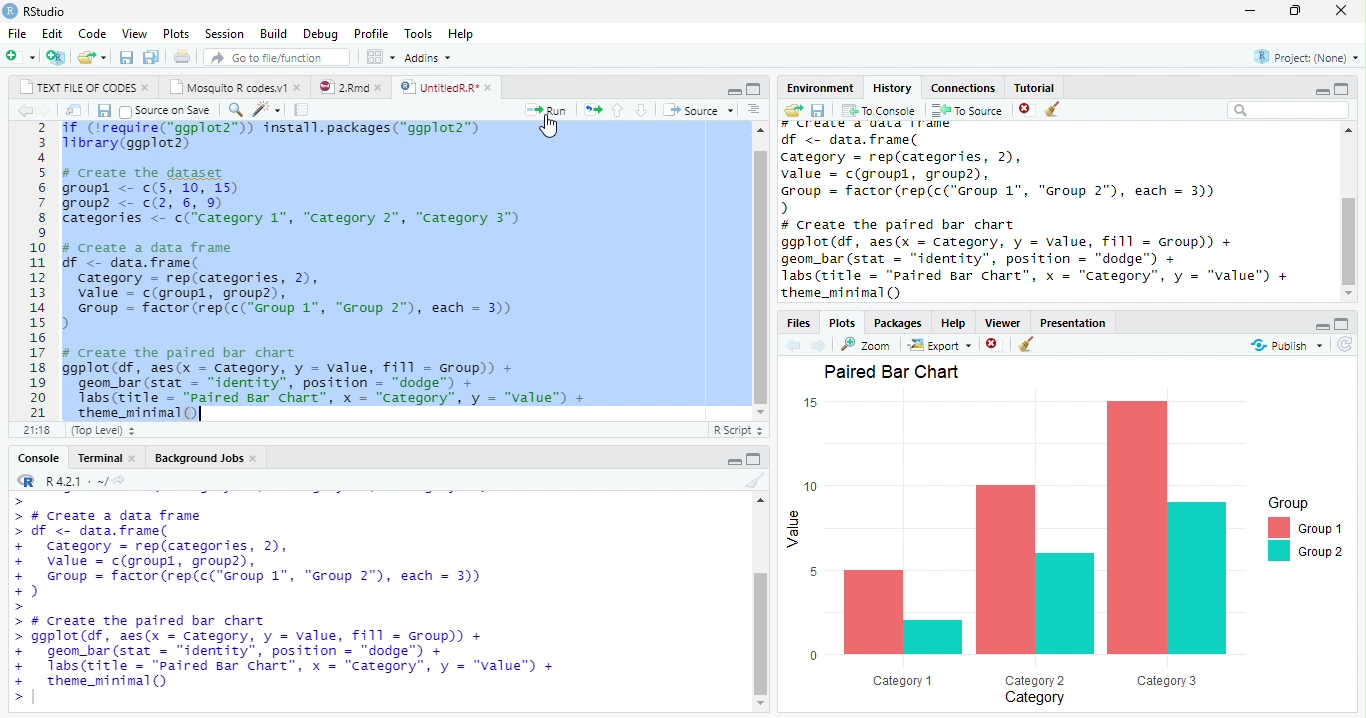 This screenshot has width=1366, height=718. Describe the element at coordinates (73, 110) in the screenshot. I see `show in new window` at that location.